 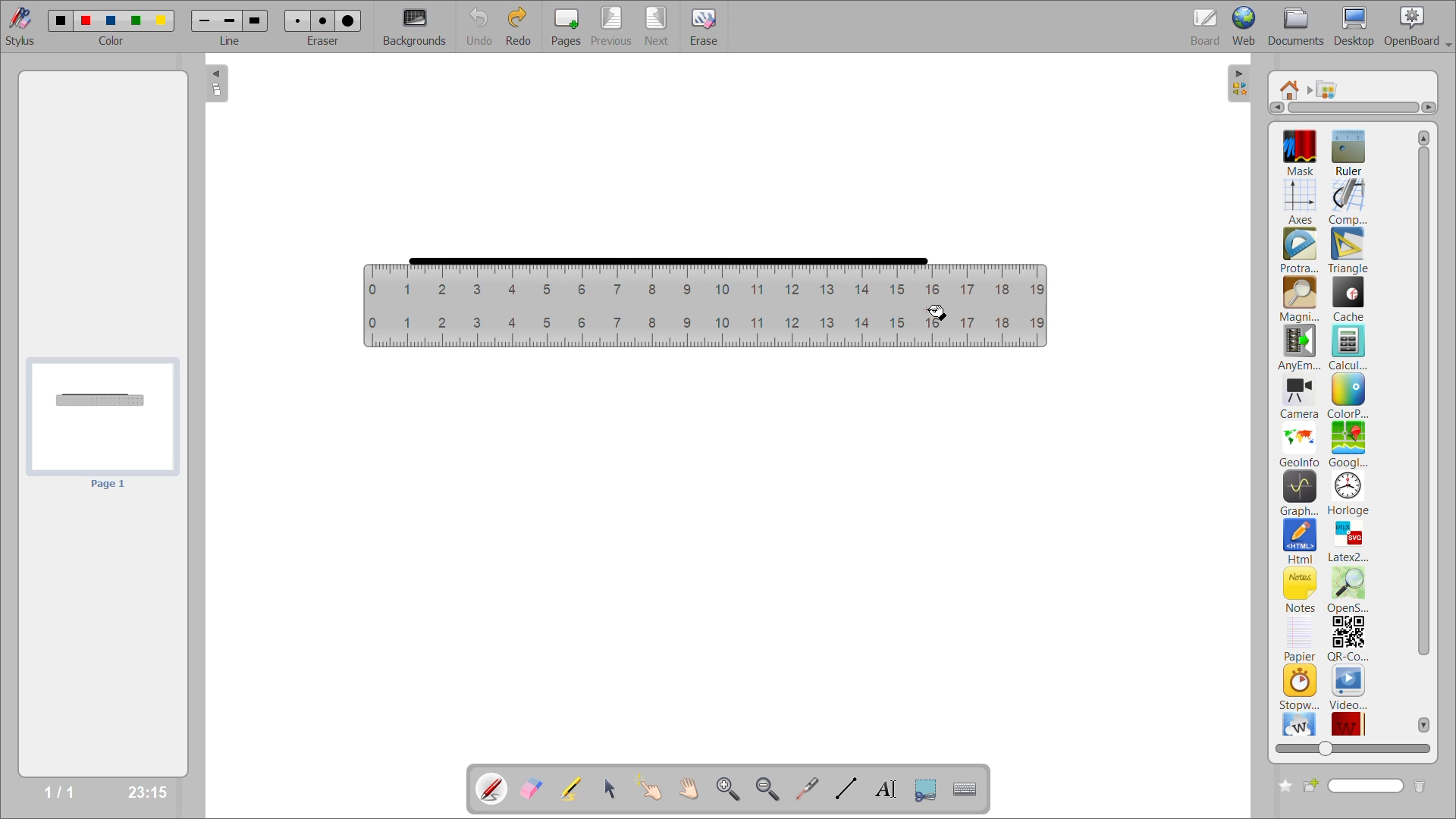 What do you see at coordinates (146, 791) in the screenshot?
I see `23:15` at bounding box center [146, 791].